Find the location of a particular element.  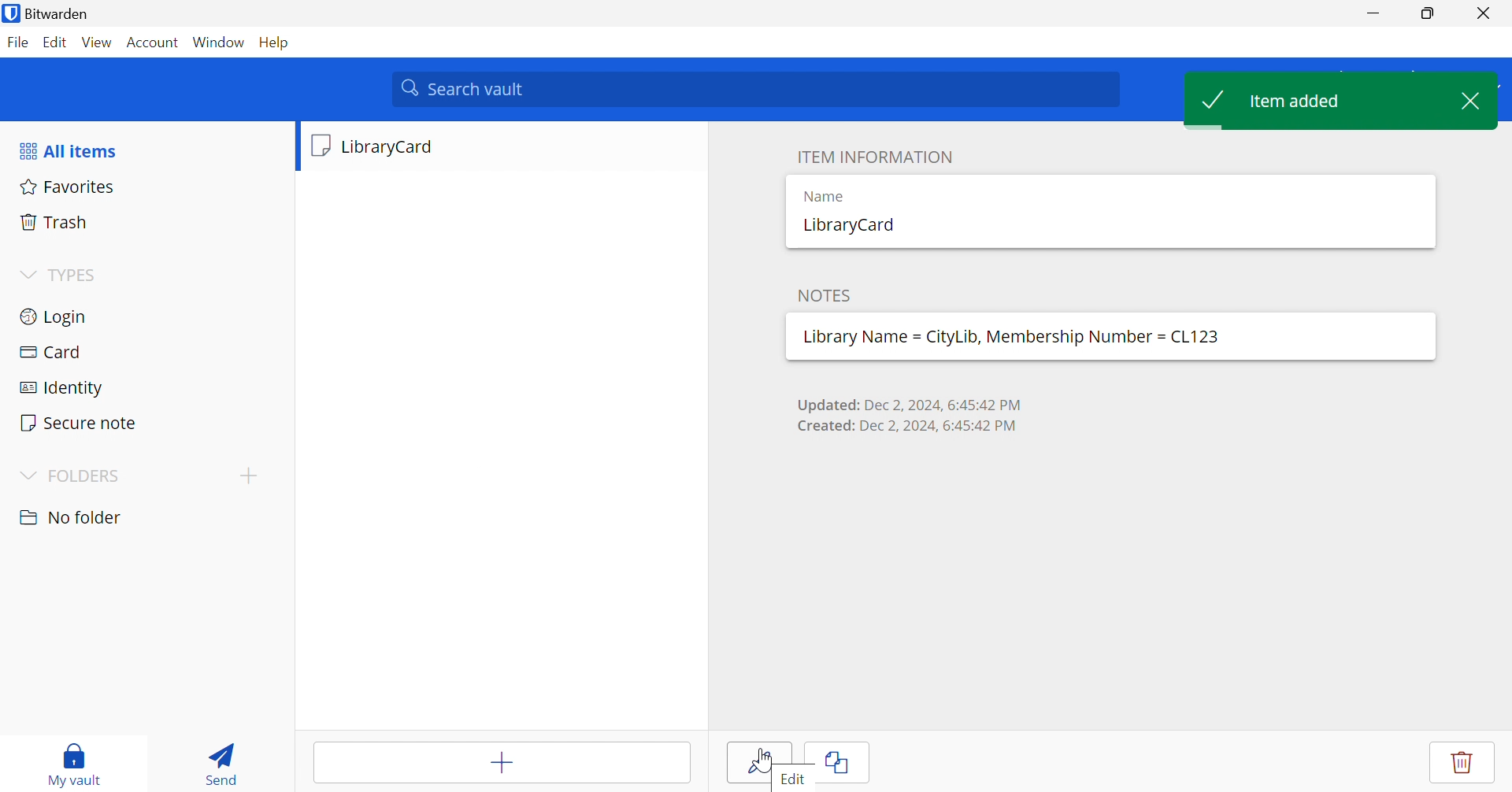

Send is located at coordinates (224, 761).